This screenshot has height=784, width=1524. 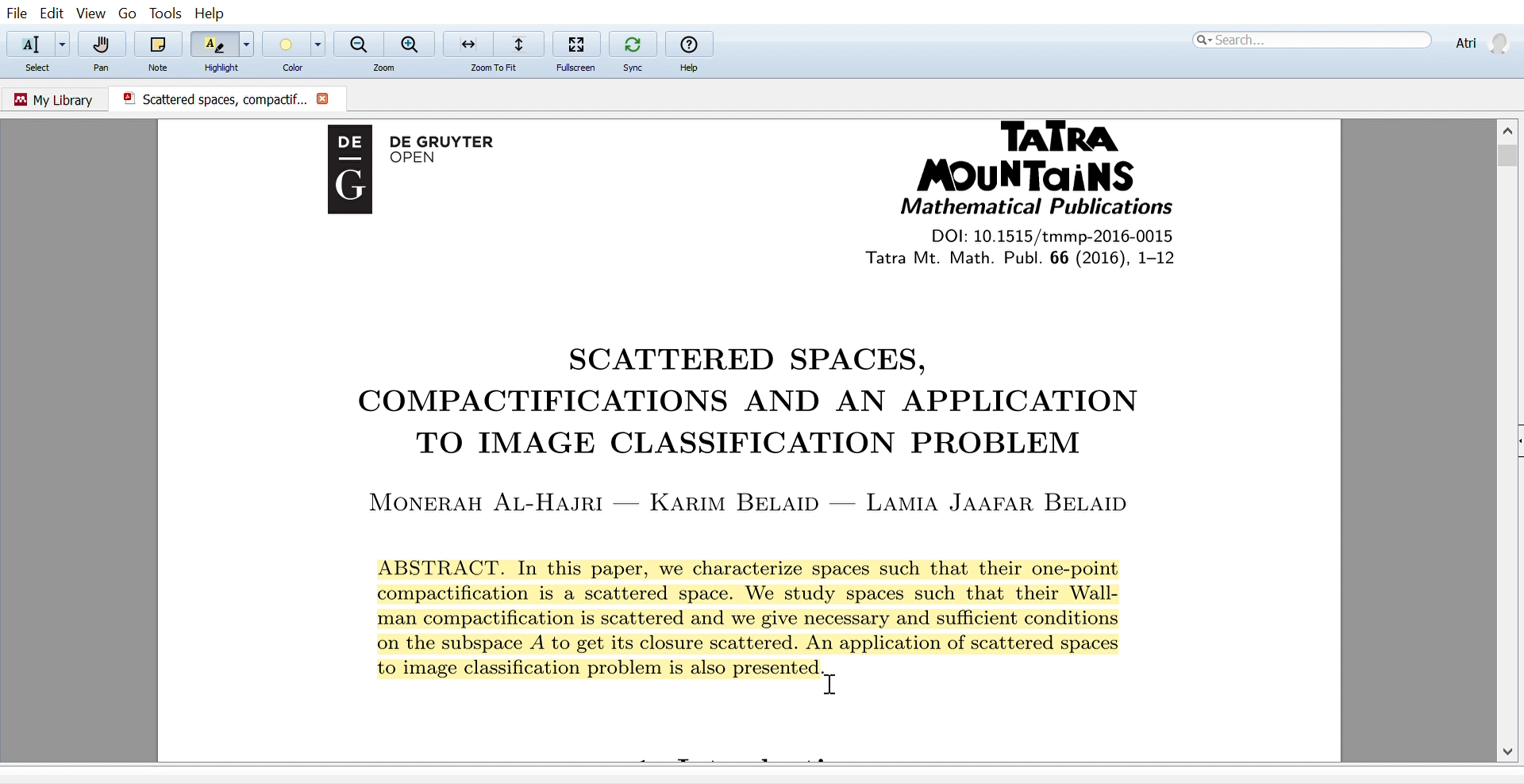 What do you see at coordinates (344, 180) in the screenshot?
I see `Logo` at bounding box center [344, 180].